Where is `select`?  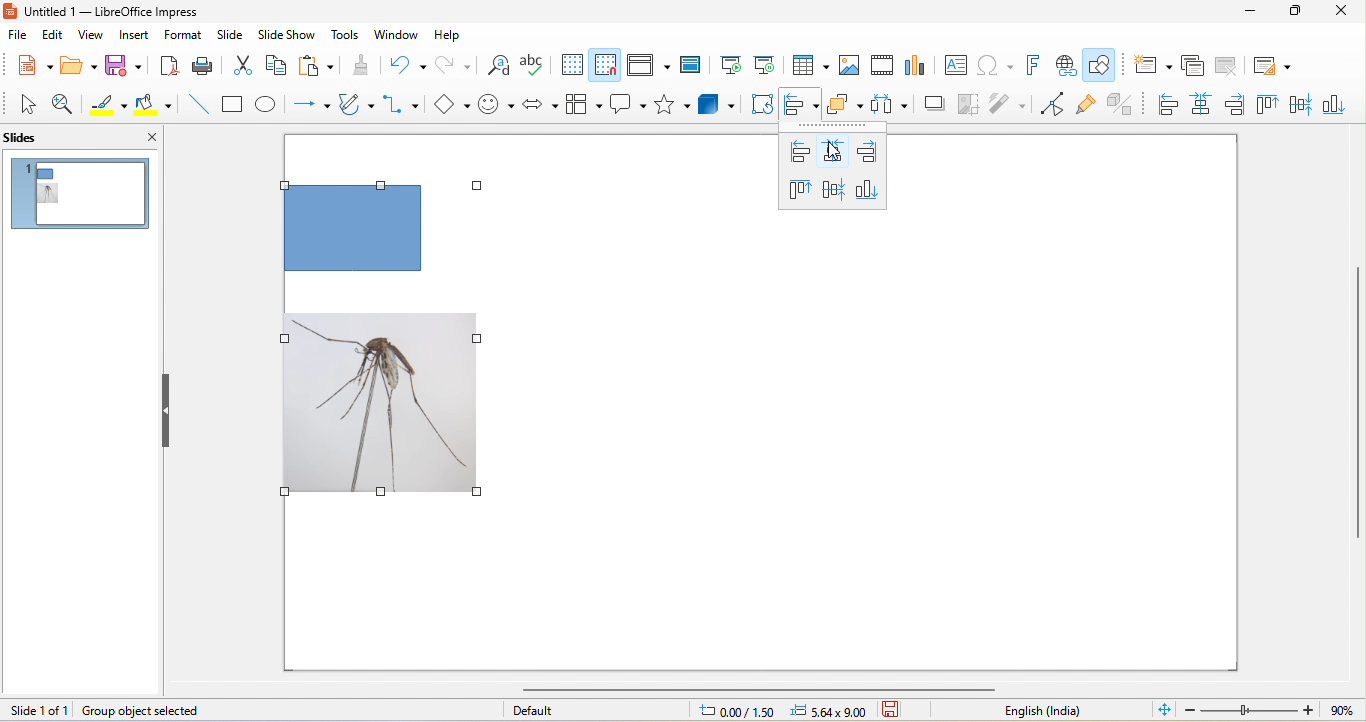
select is located at coordinates (25, 104).